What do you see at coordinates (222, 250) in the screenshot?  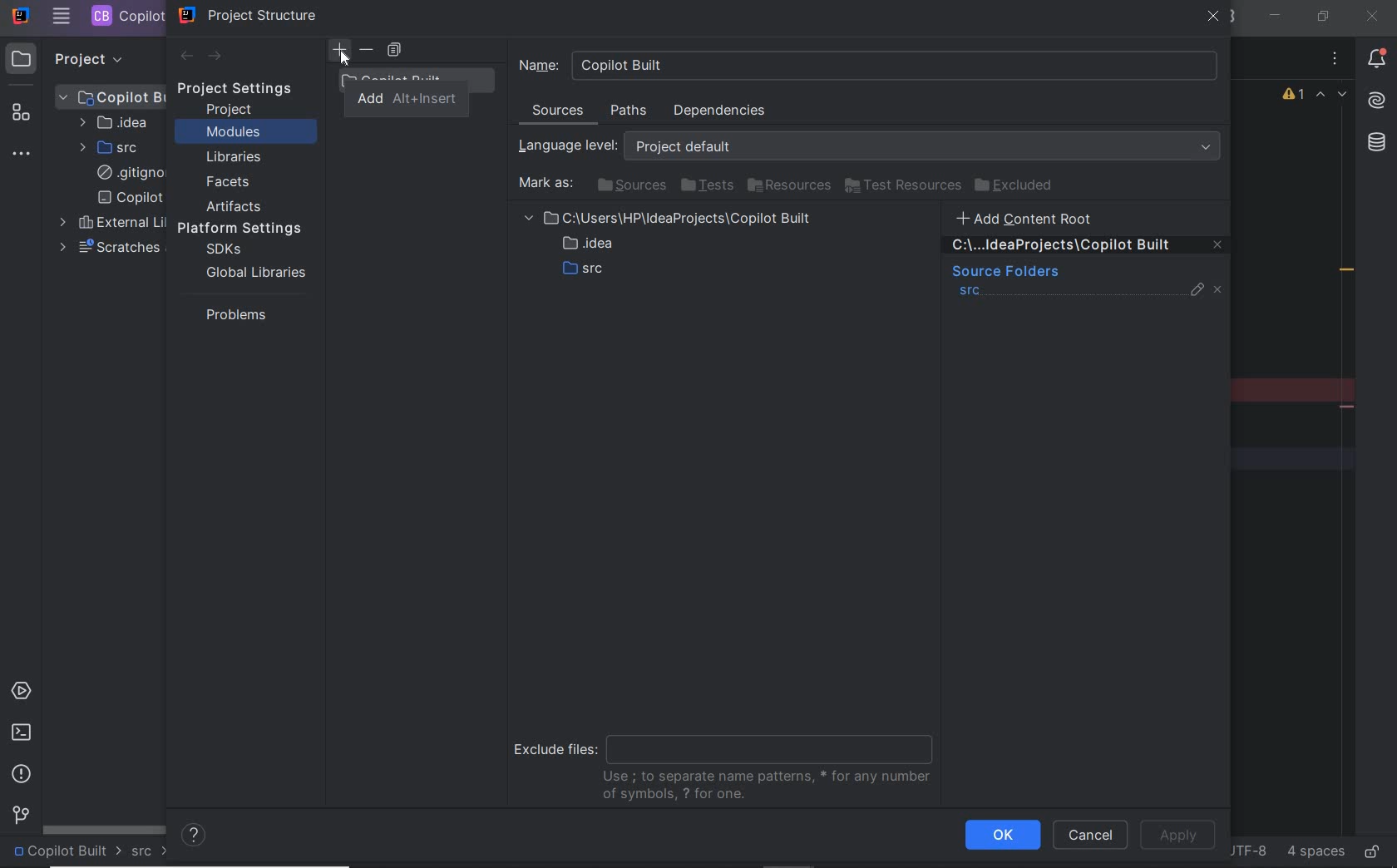 I see `sdks` at bounding box center [222, 250].